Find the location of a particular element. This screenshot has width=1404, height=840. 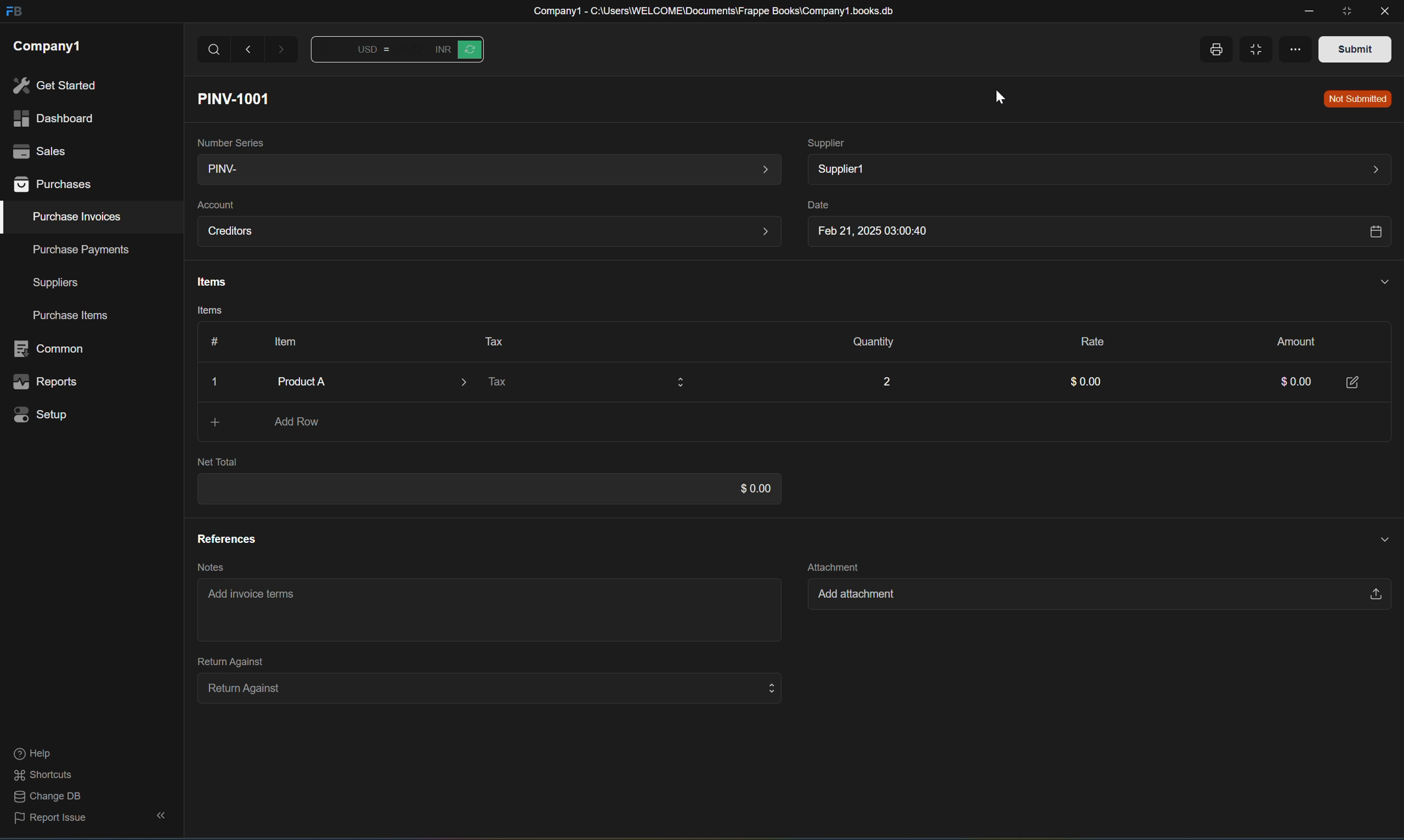

Return Against is located at coordinates (224, 661).